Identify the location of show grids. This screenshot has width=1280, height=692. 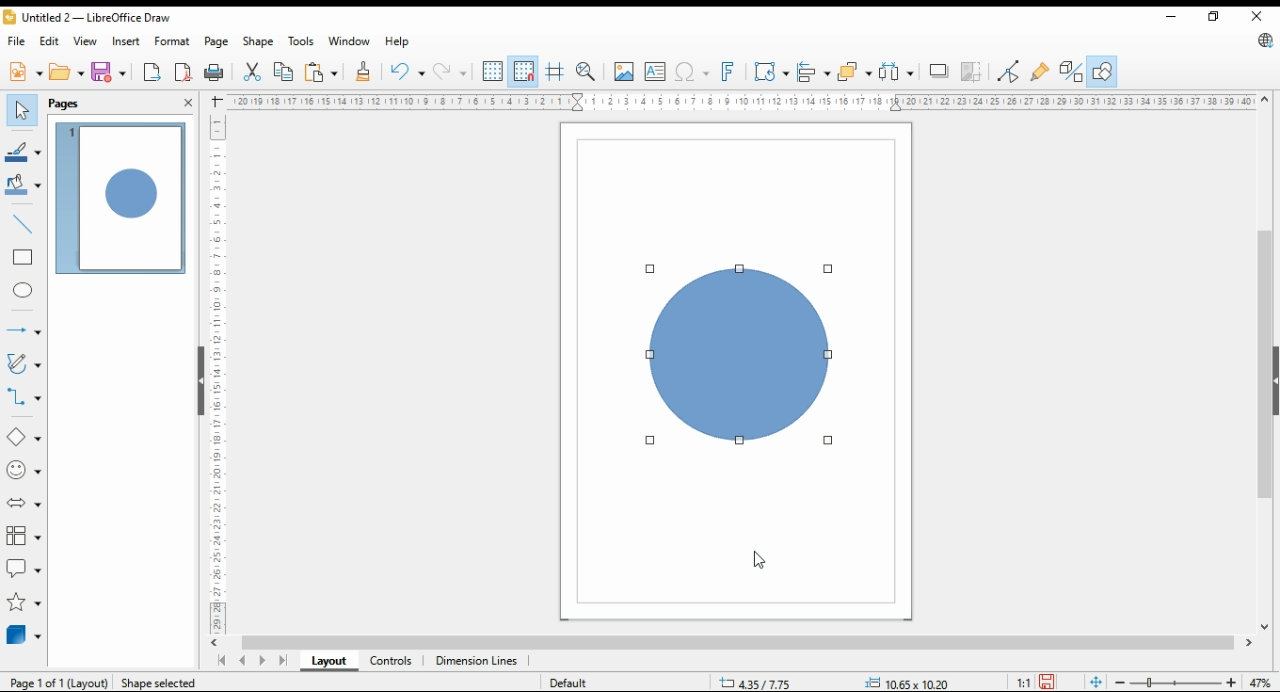
(493, 72).